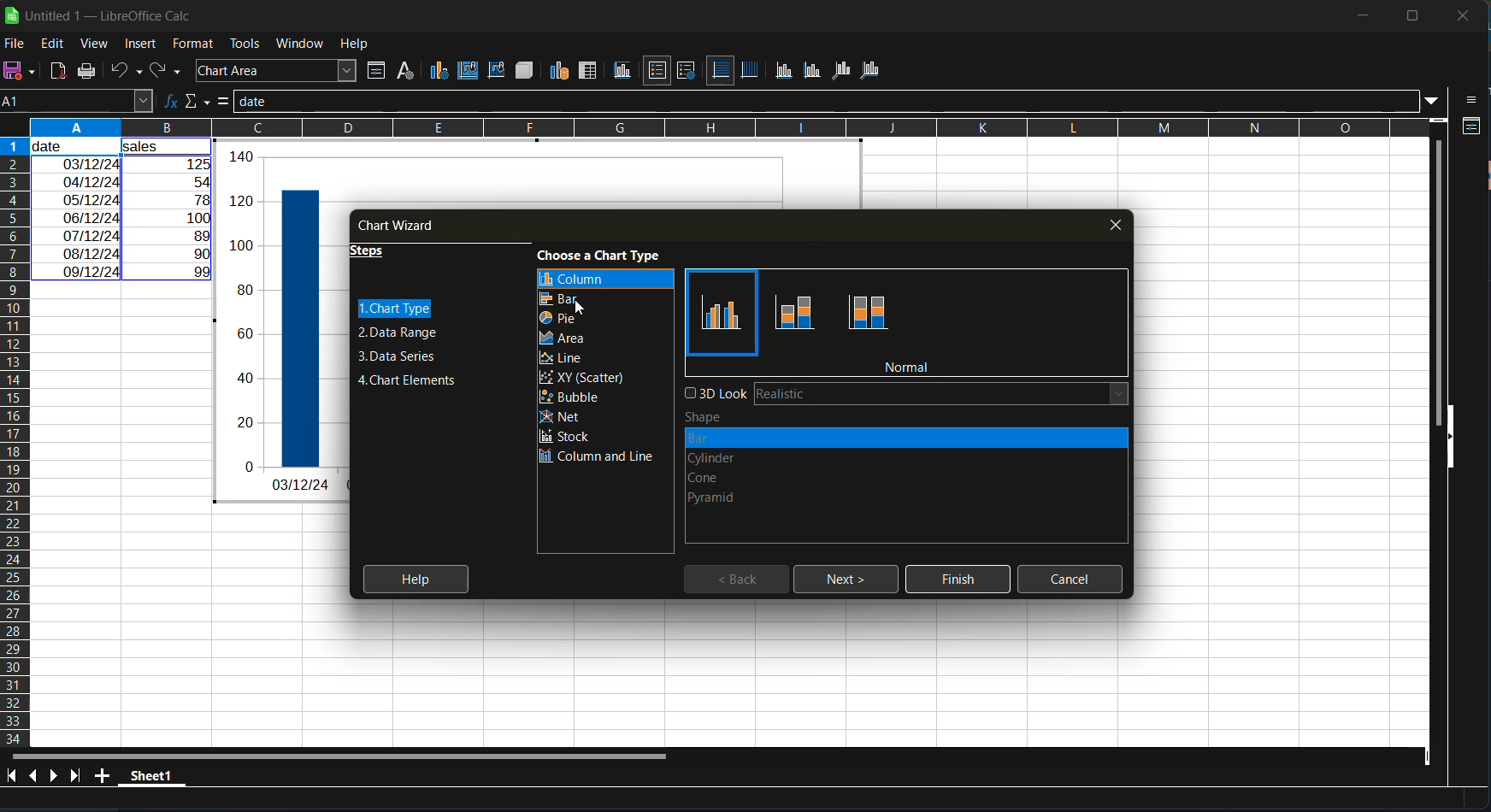  Describe the element at coordinates (1408, 15) in the screenshot. I see `maximize` at that location.